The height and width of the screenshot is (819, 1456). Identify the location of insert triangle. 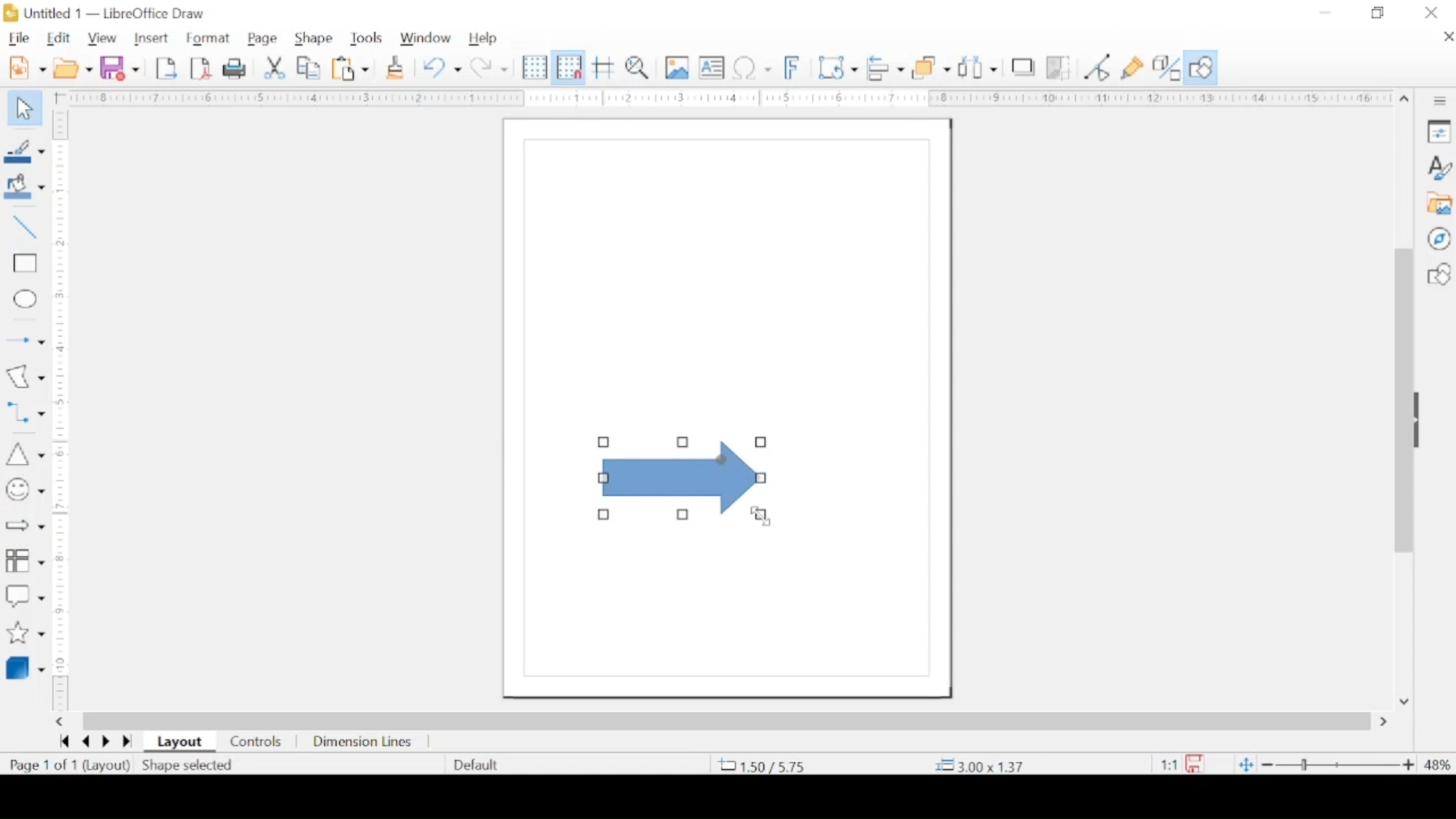
(24, 453).